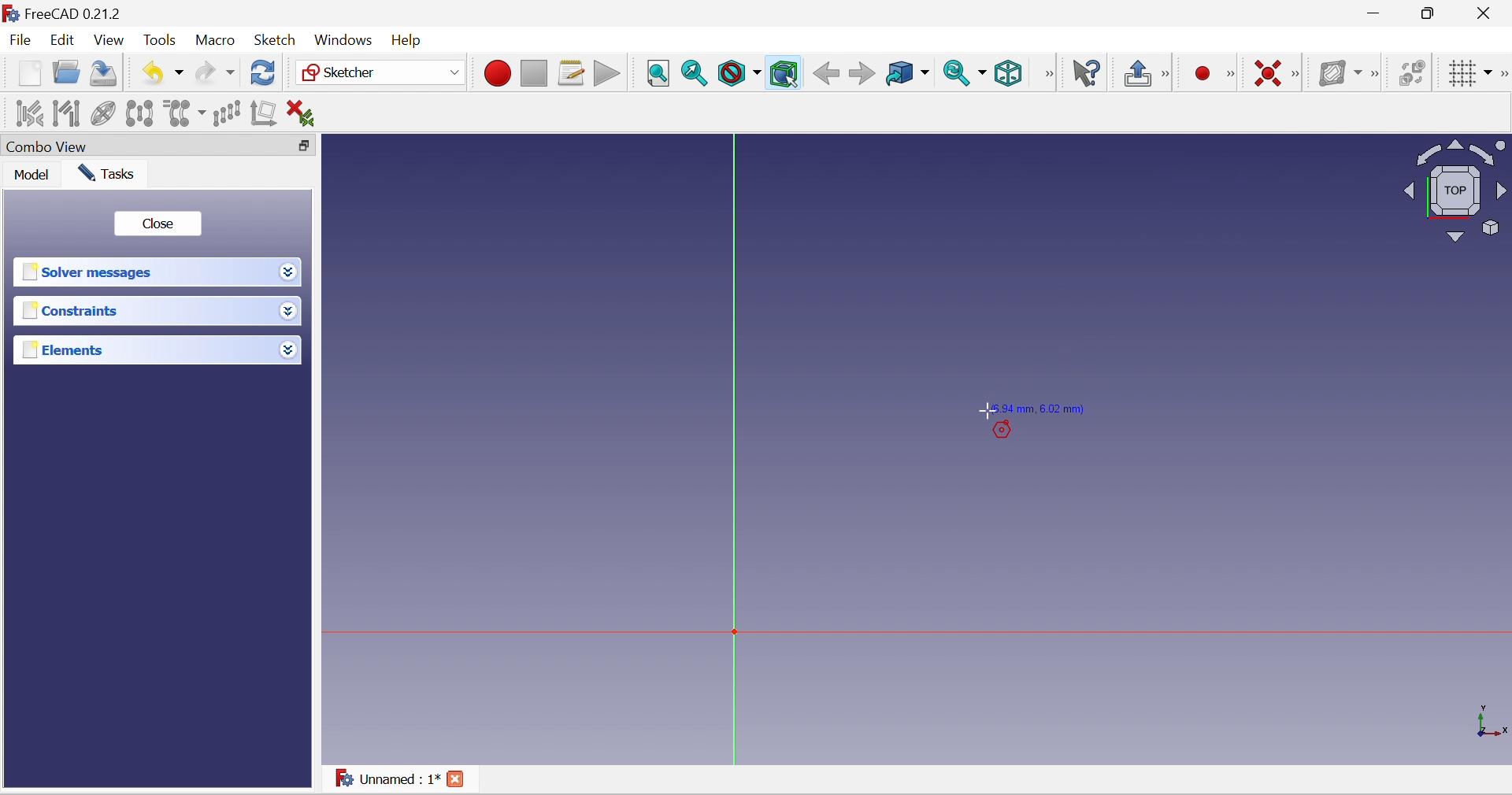 This screenshot has width=1512, height=795. What do you see at coordinates (66, 113) in the screenshot?
I see `Select associated geometry` at bounding box center [66, 113].